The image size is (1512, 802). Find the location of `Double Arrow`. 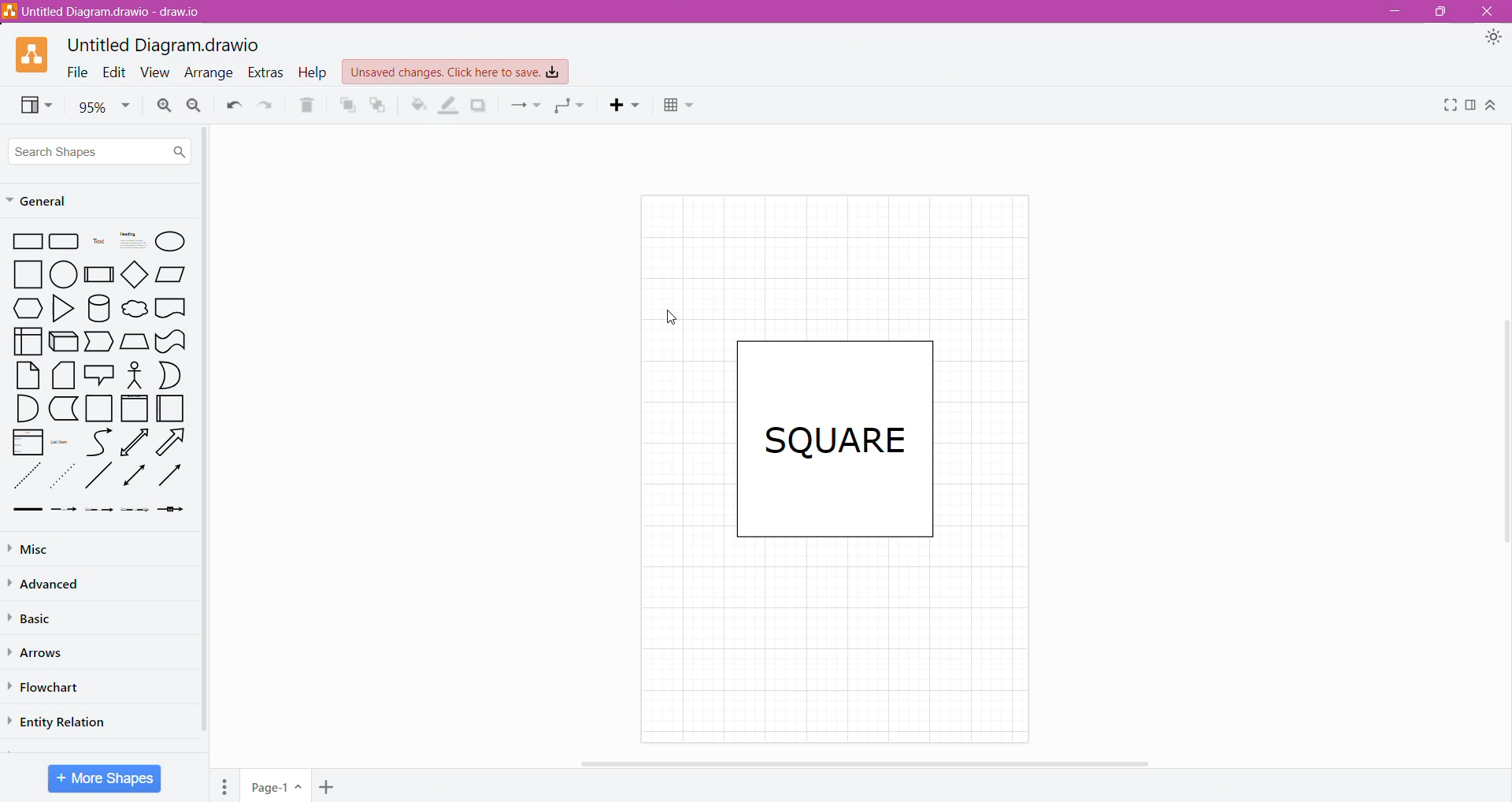

Double Arrow is located at coordinates (132, 477).